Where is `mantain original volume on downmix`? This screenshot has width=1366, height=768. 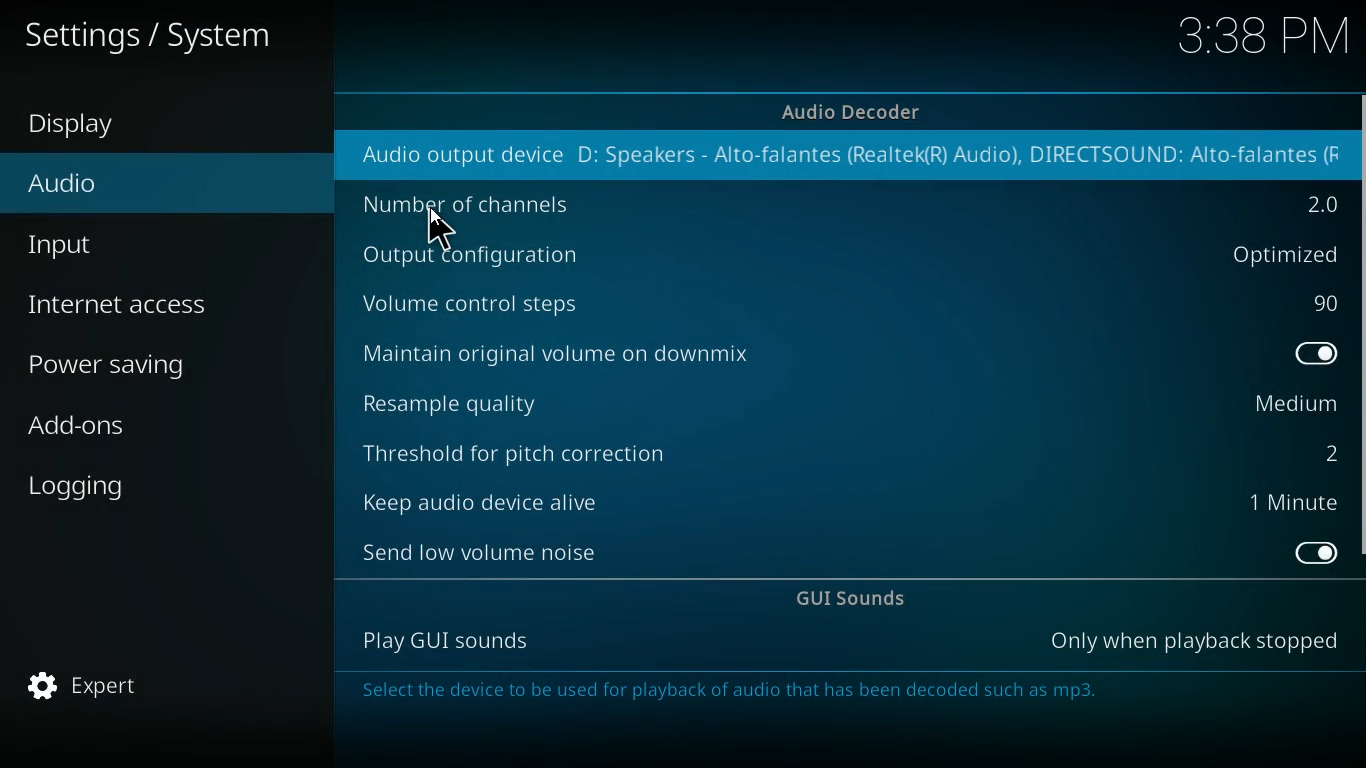 mantain original volume on downmix is located at coordinates (593, 351).